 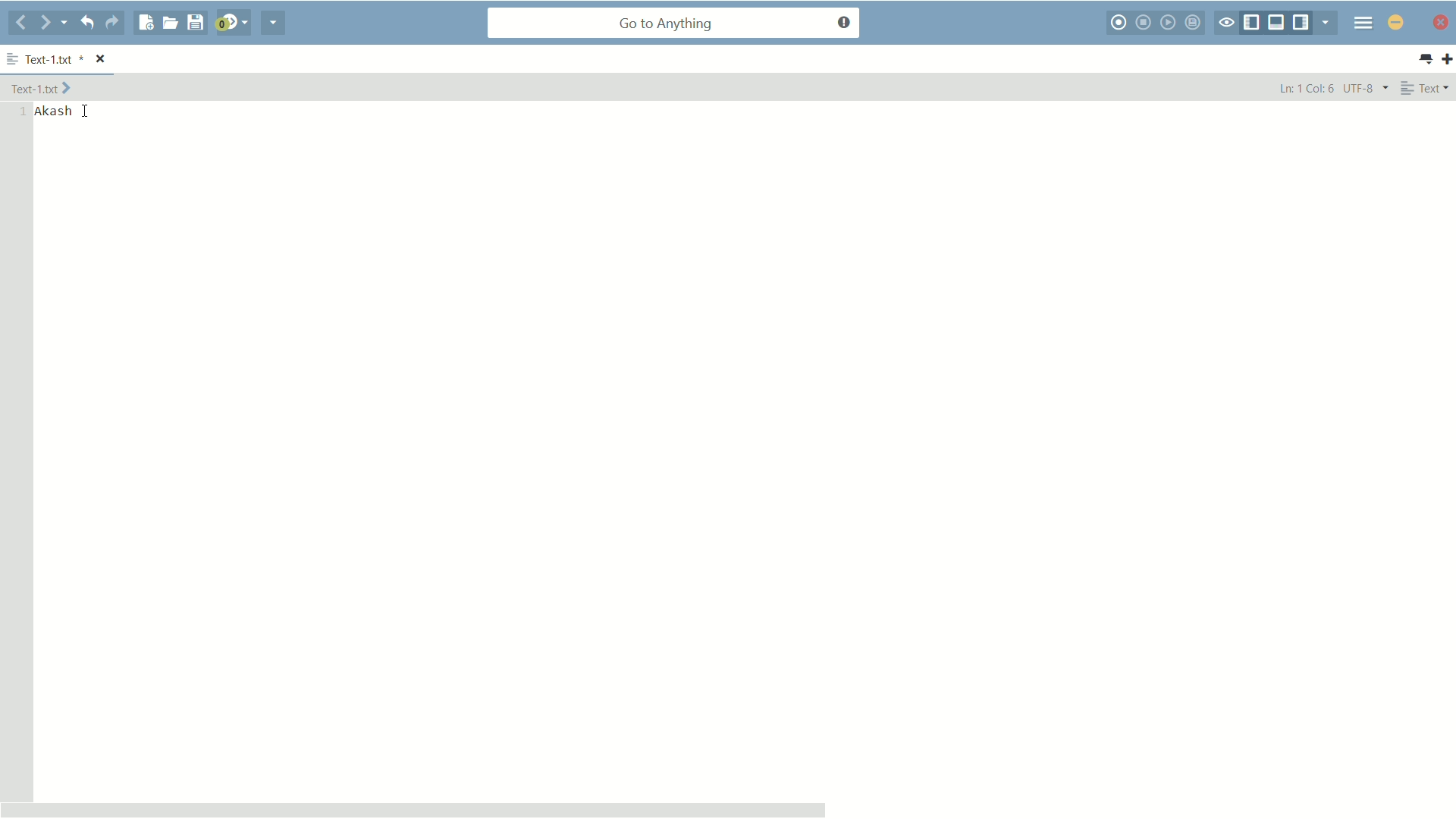 What do you see at coordinates (1145, 22) in the screenshot?
I see `stop macro` at bounding box center [1145, 22].